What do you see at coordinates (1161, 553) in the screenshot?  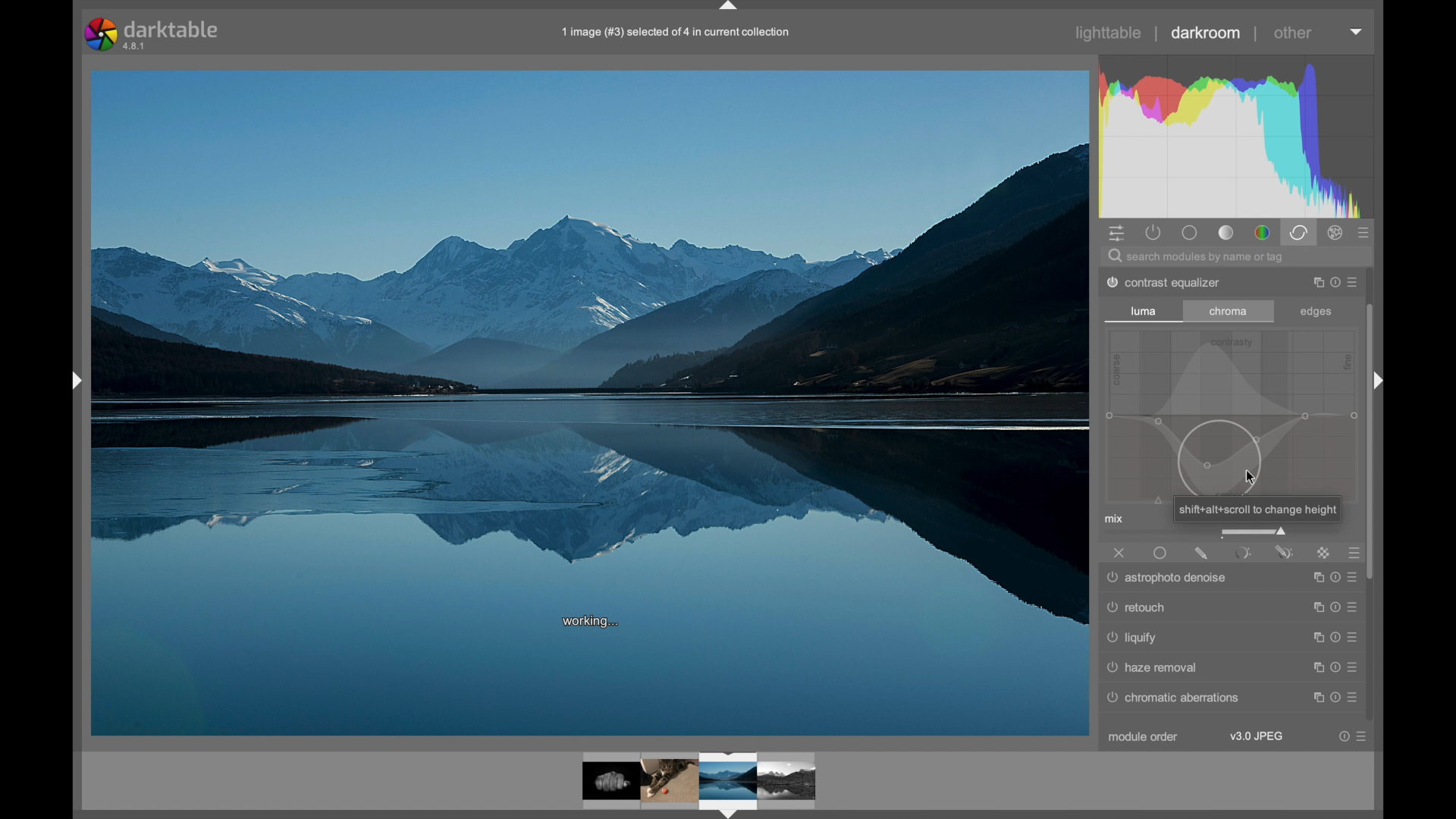 I see `uniformly` at bounding box center [1161, 553].